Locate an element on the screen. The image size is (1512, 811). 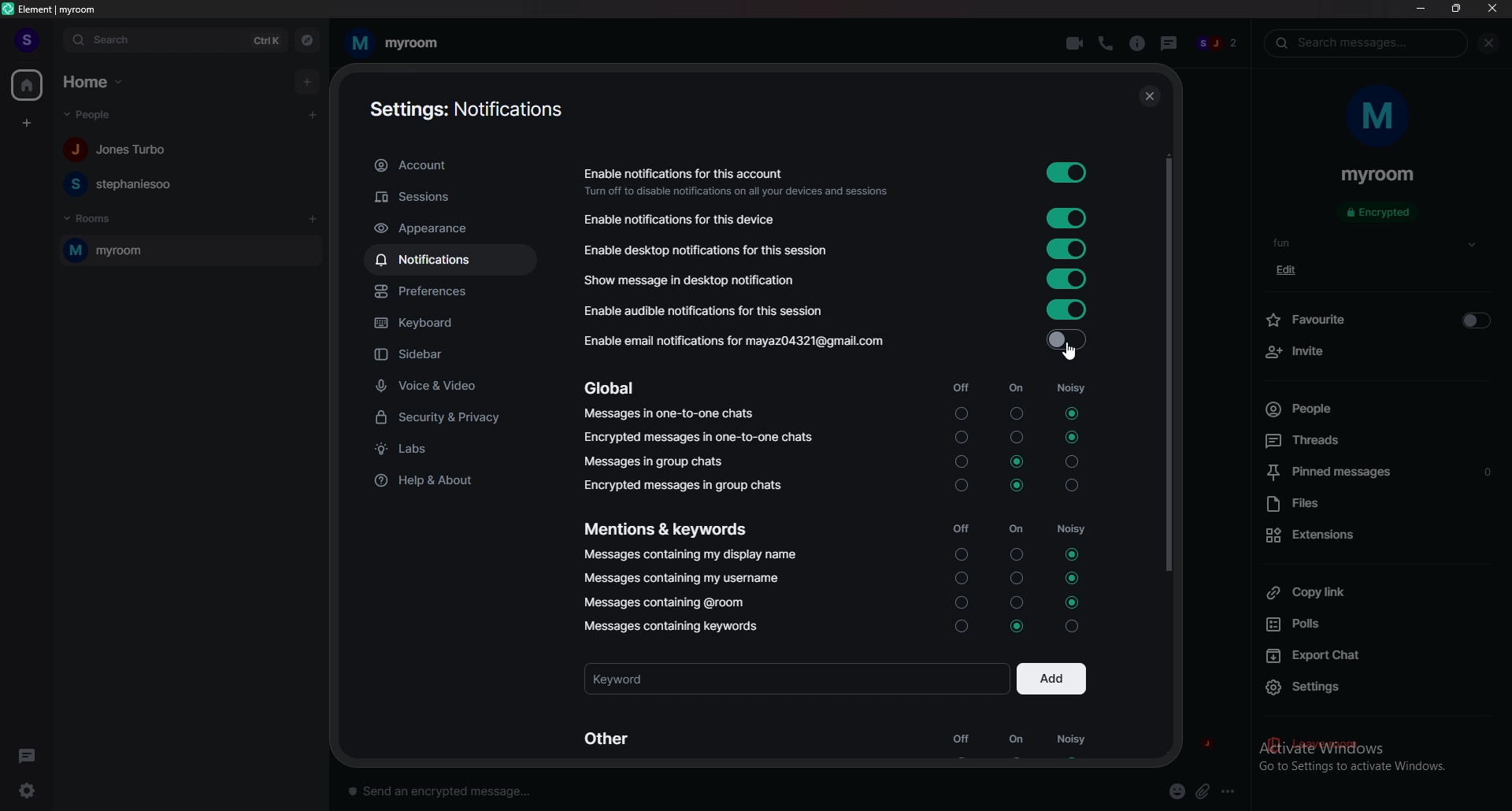
people is located at coordinates (121, 150).